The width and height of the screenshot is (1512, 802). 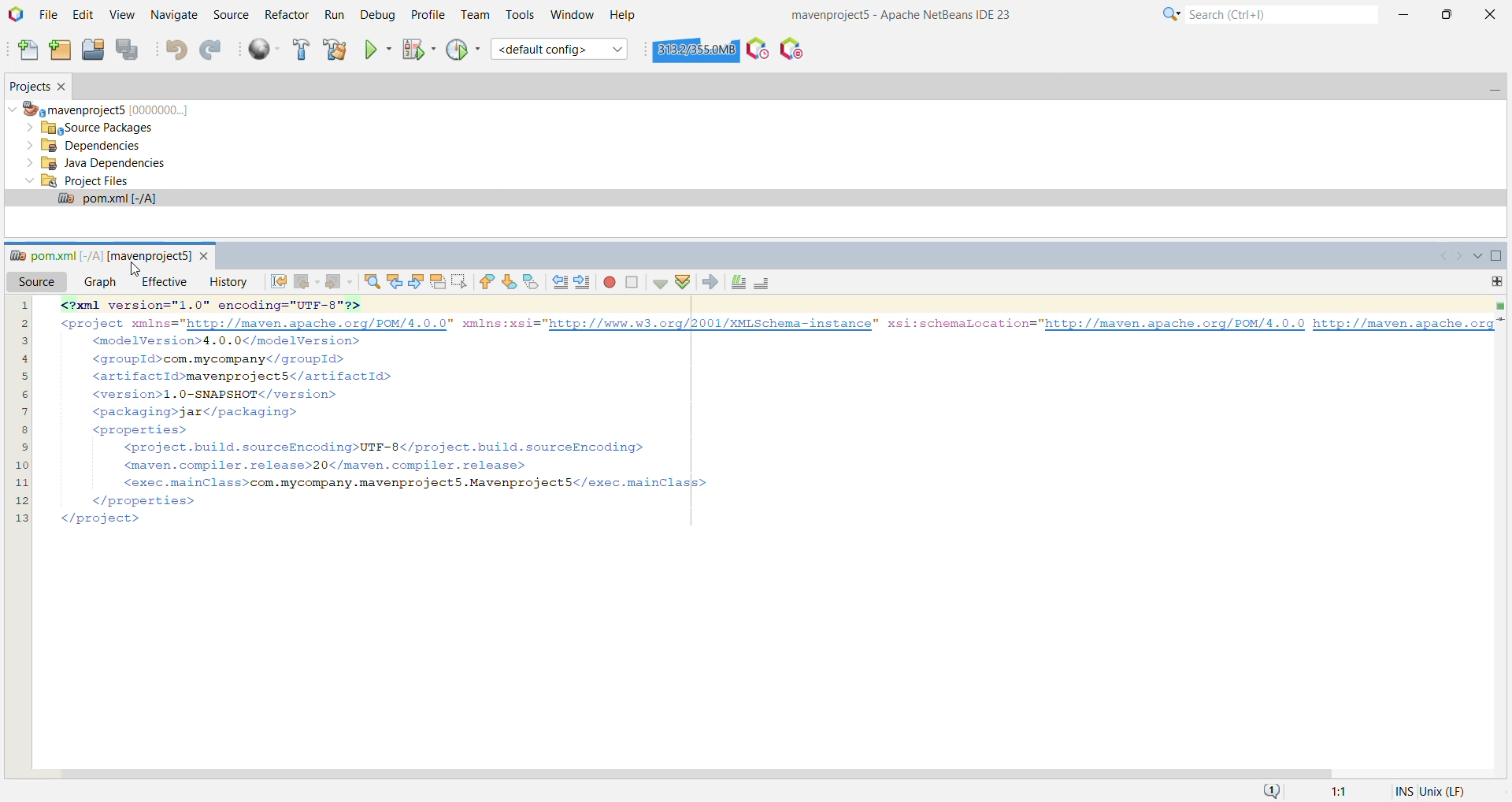 What do you see at coordinates (409, 481) in the screenshot?
I see `<exec.mainClass>com.mycompany.mavenprojectS.Mavenproject5</exec.mainClass>` at bounding box center [409, 481].